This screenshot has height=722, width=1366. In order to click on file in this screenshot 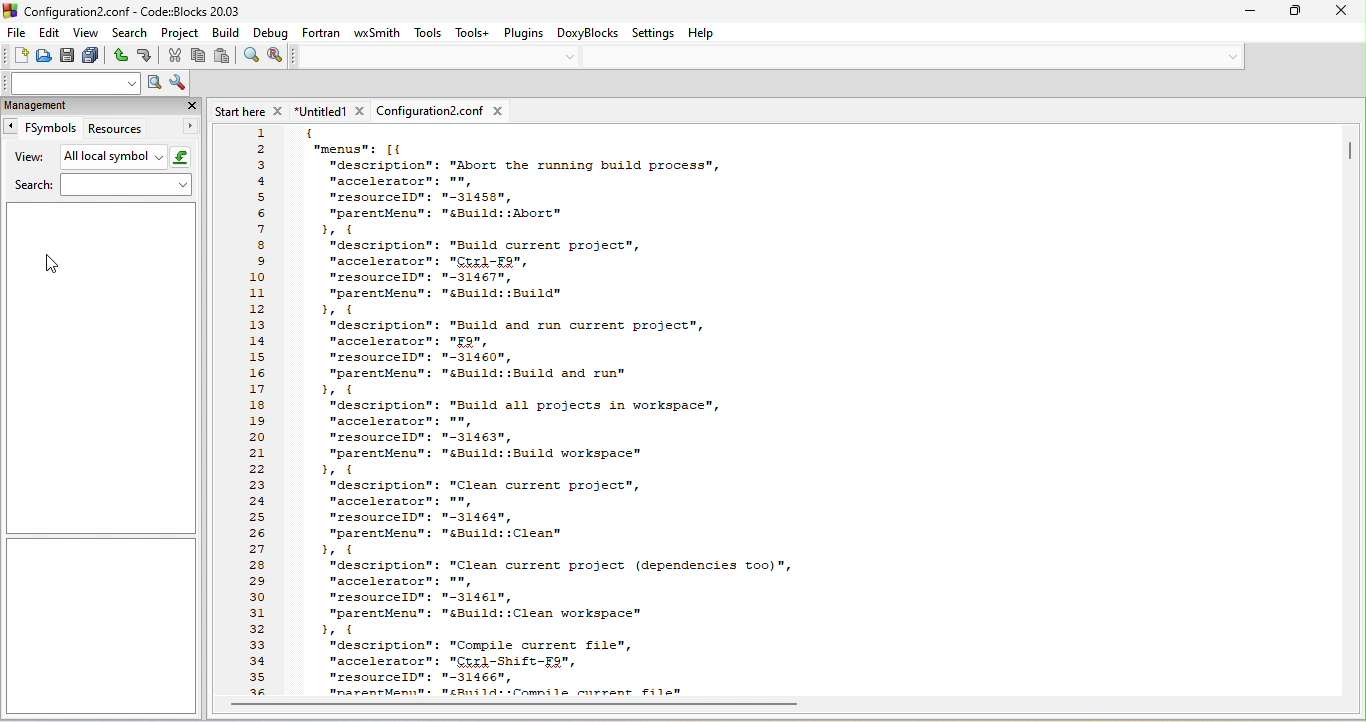, I will do `click(16, 32)`.